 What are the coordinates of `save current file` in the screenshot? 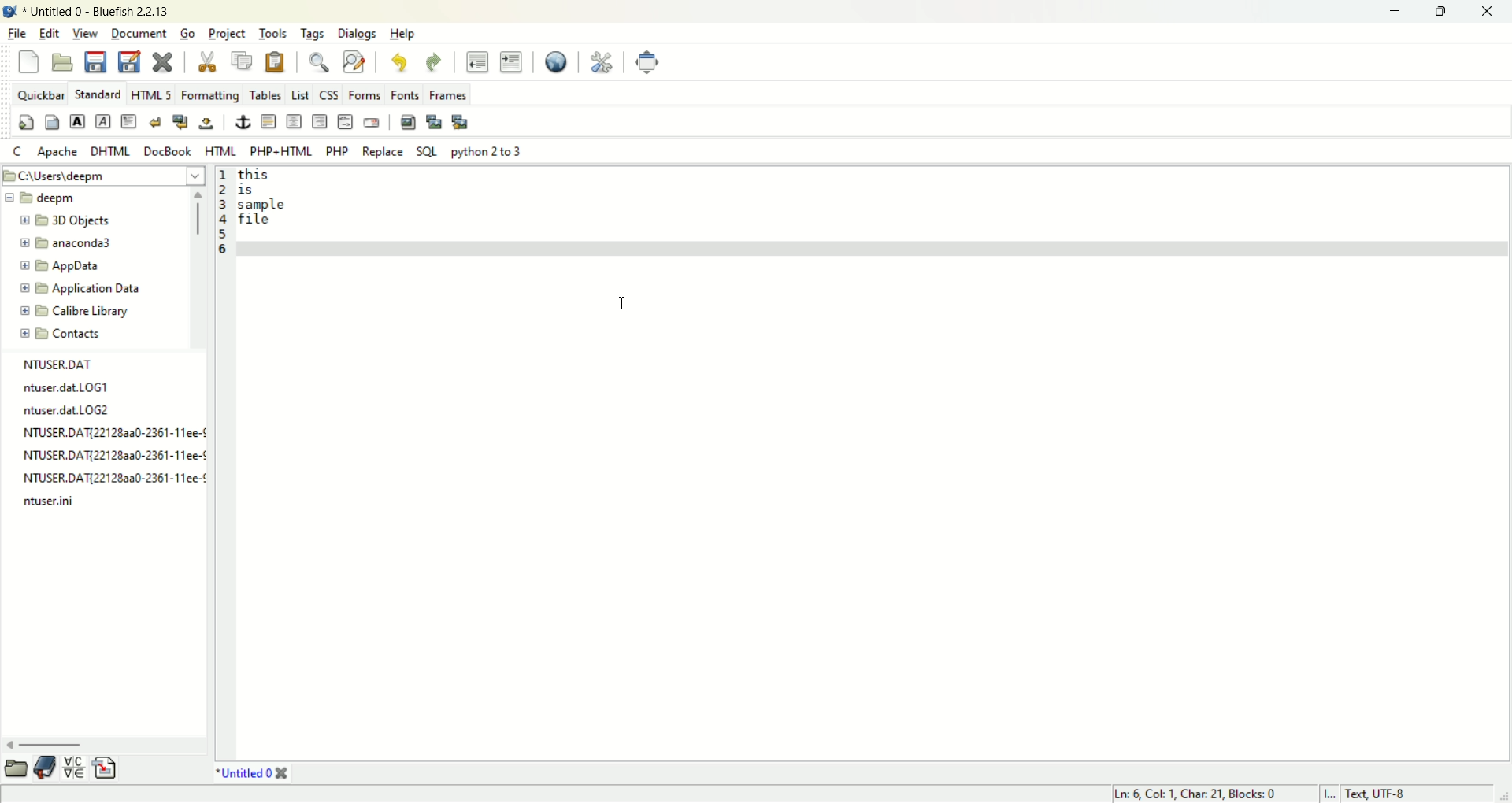 It's located at (94, 62).